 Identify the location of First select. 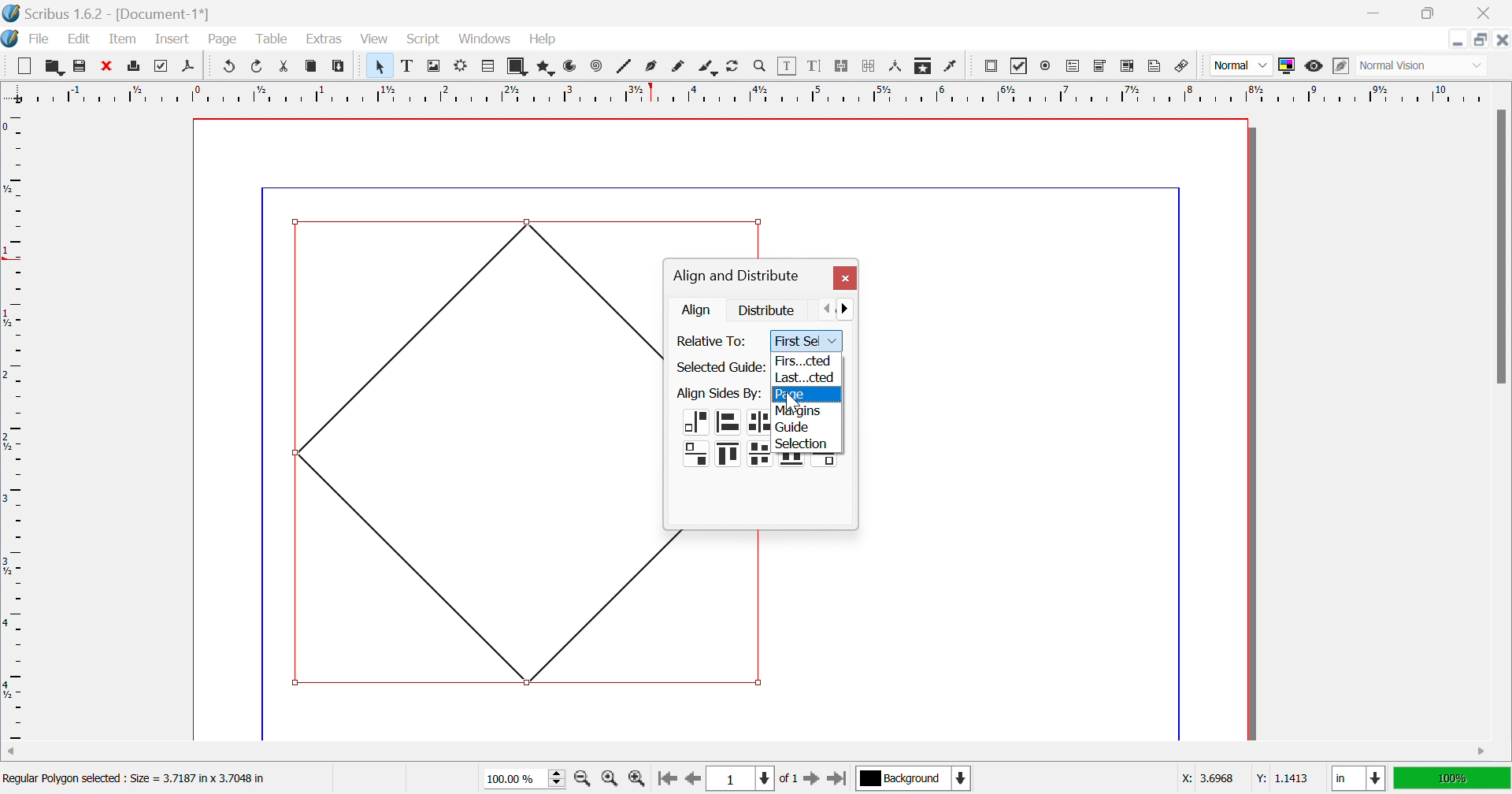
(806, 342).